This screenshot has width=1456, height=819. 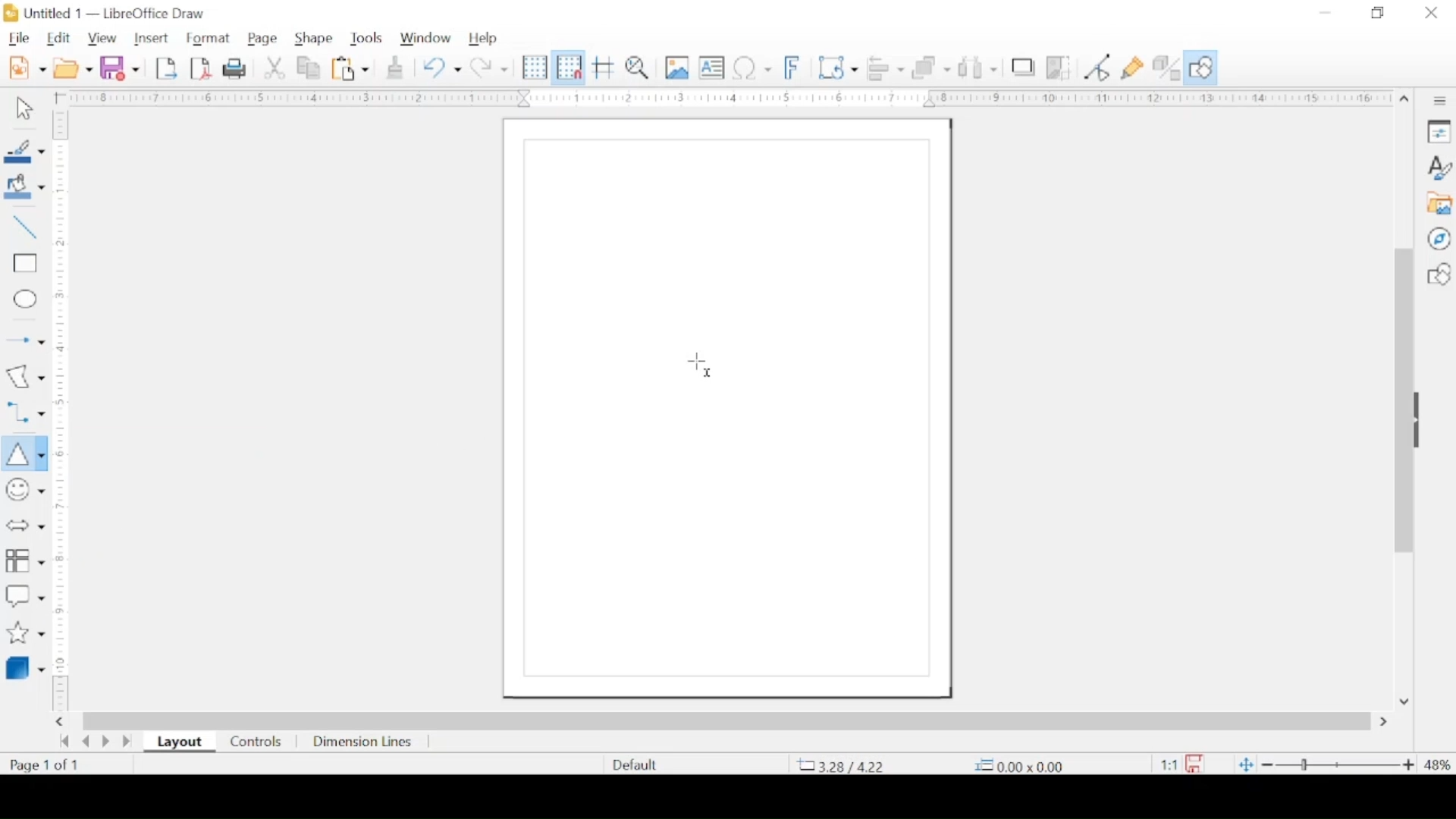 I want to click on scroll right, so click(x=62, y=721).